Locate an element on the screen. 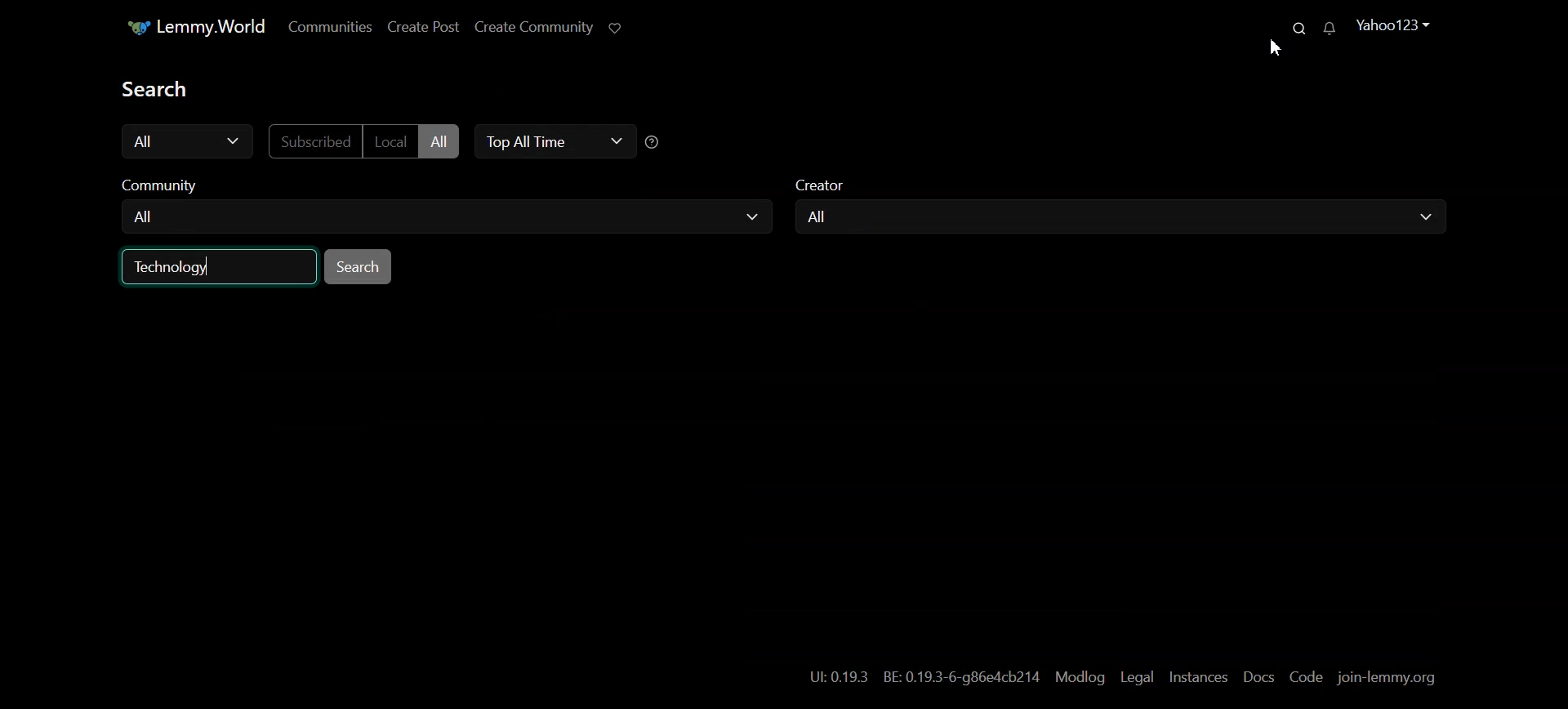 The height and width of the screenshot is (709, 1568). Subscribed is located at coordinates (312, 141).